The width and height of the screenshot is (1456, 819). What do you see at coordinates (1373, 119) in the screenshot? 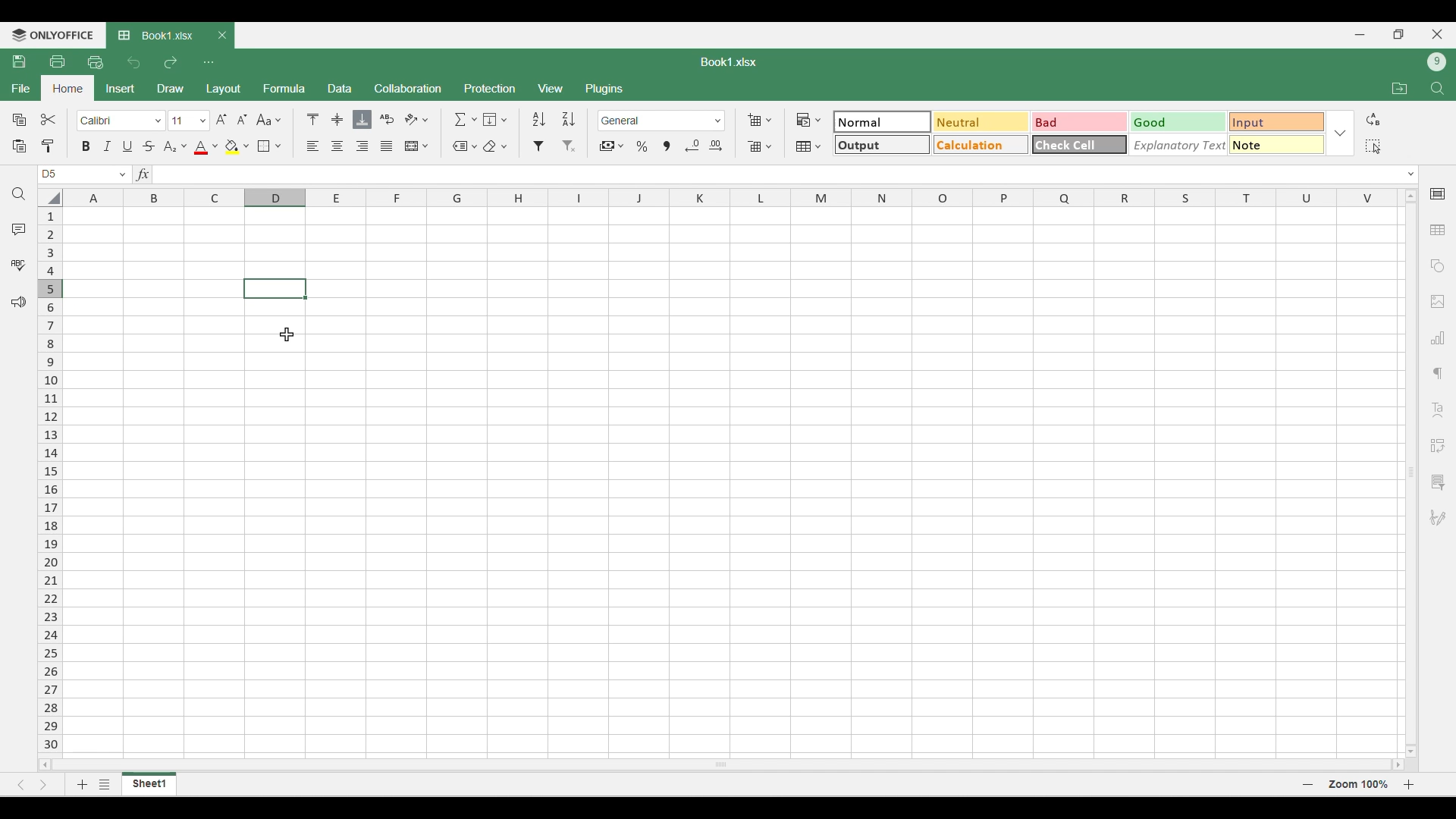
I see `Replace` at bounding box center [1373, 119].